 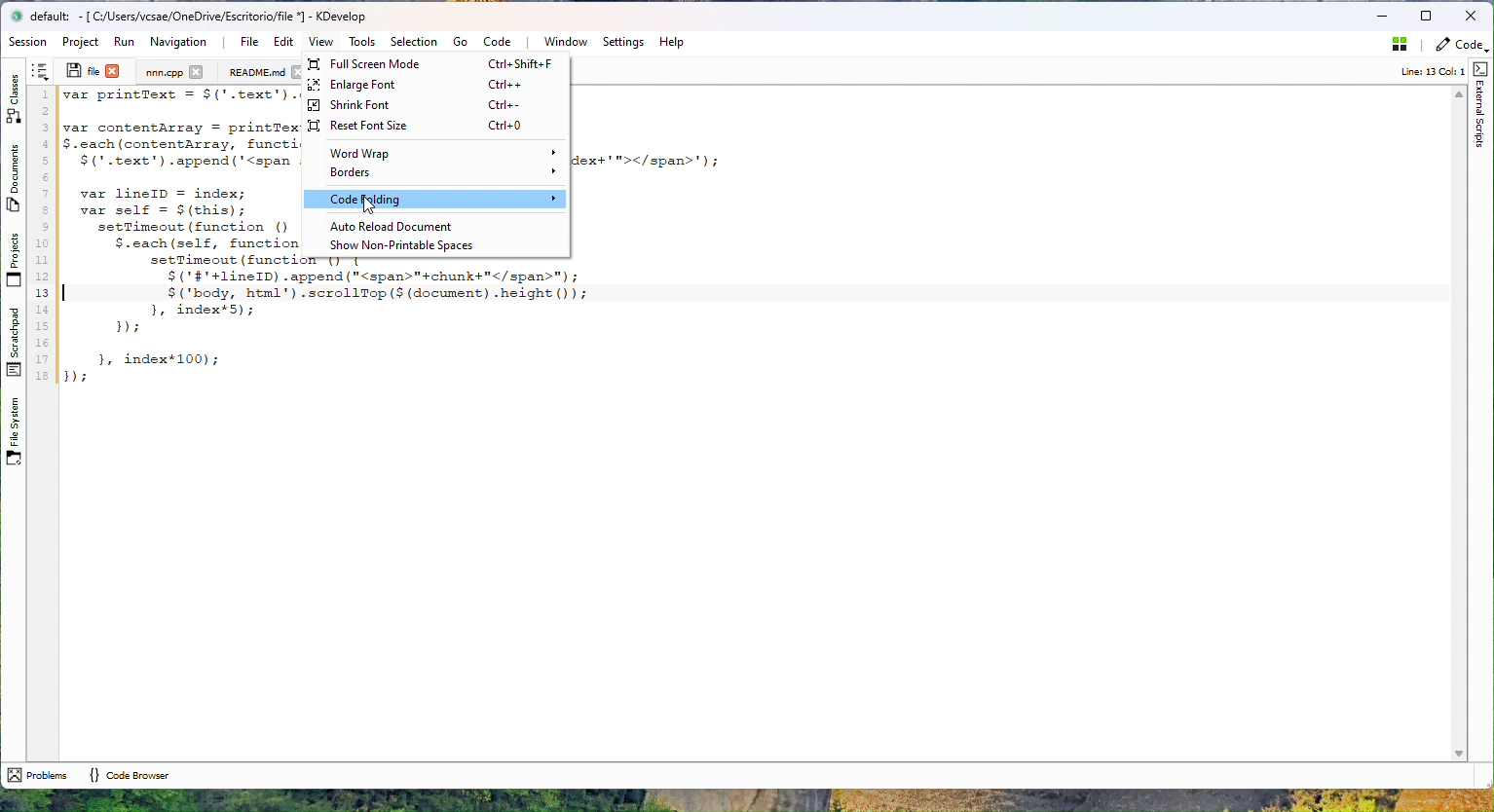 I want to click on Borders , so click(x=434, y=174).